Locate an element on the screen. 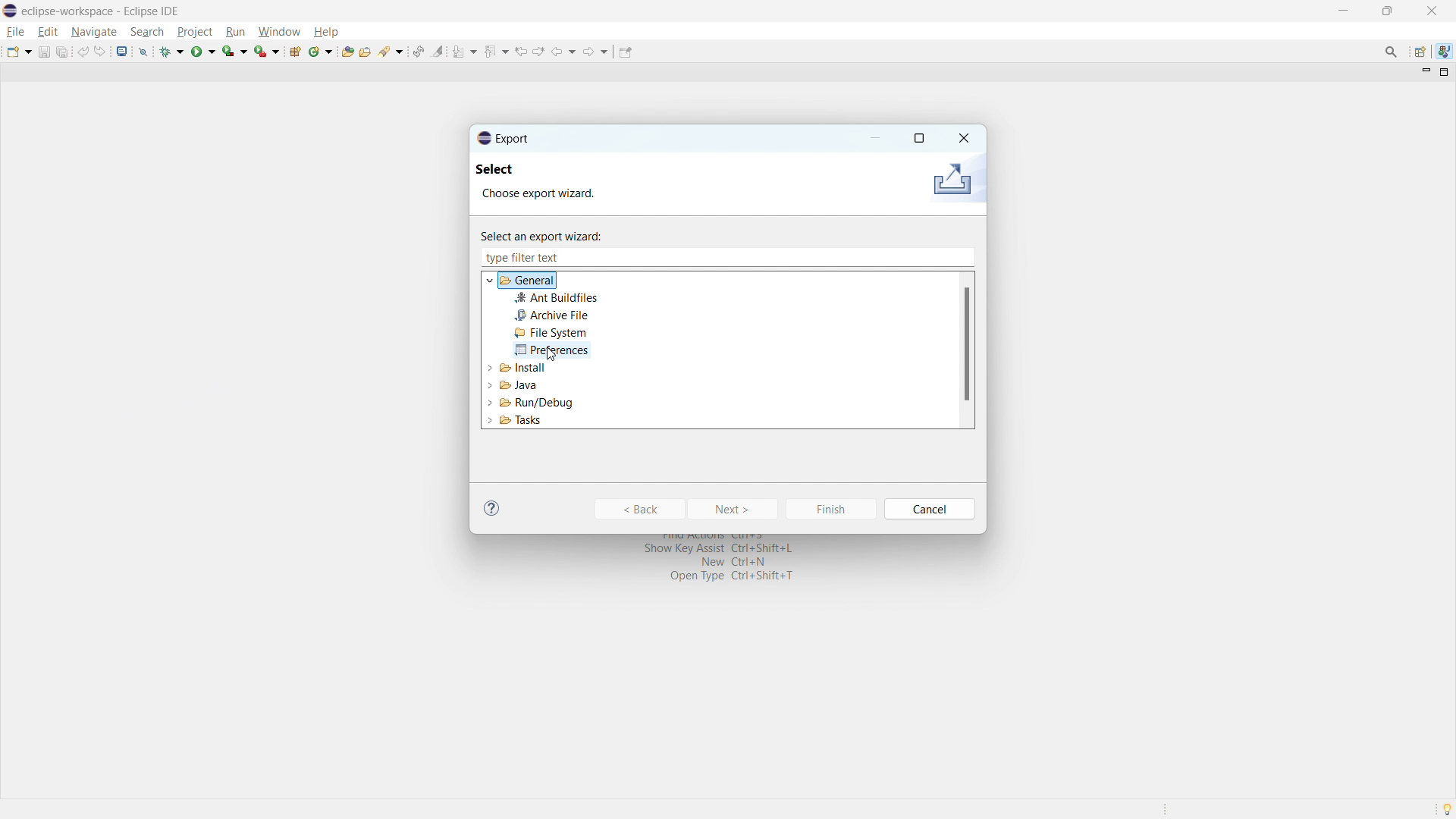  maximize is located at coordinates (1387, 11).